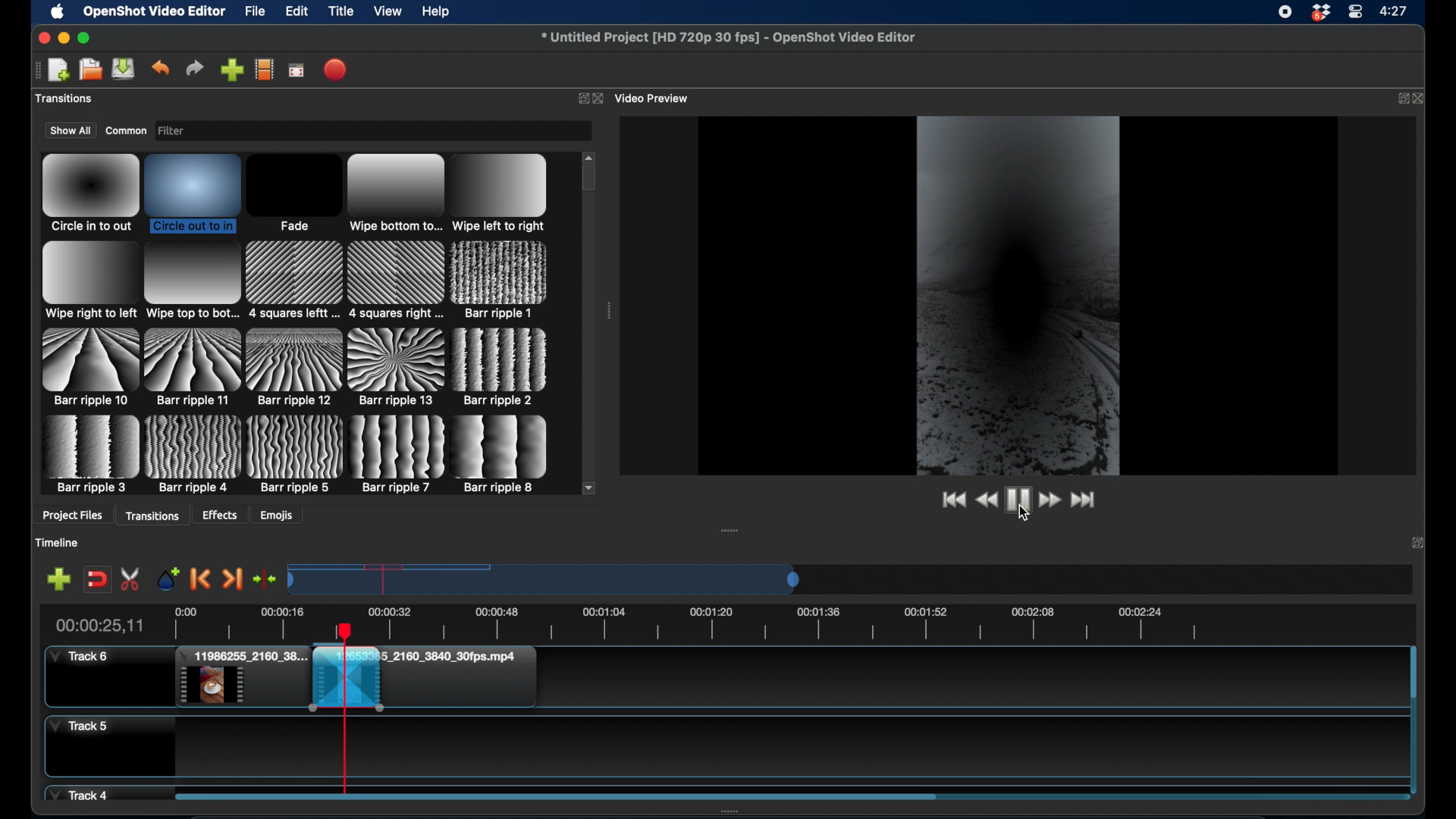 The width and height of the screenshot is (1456, 819). I want to click on emojis, so click(277, 515).